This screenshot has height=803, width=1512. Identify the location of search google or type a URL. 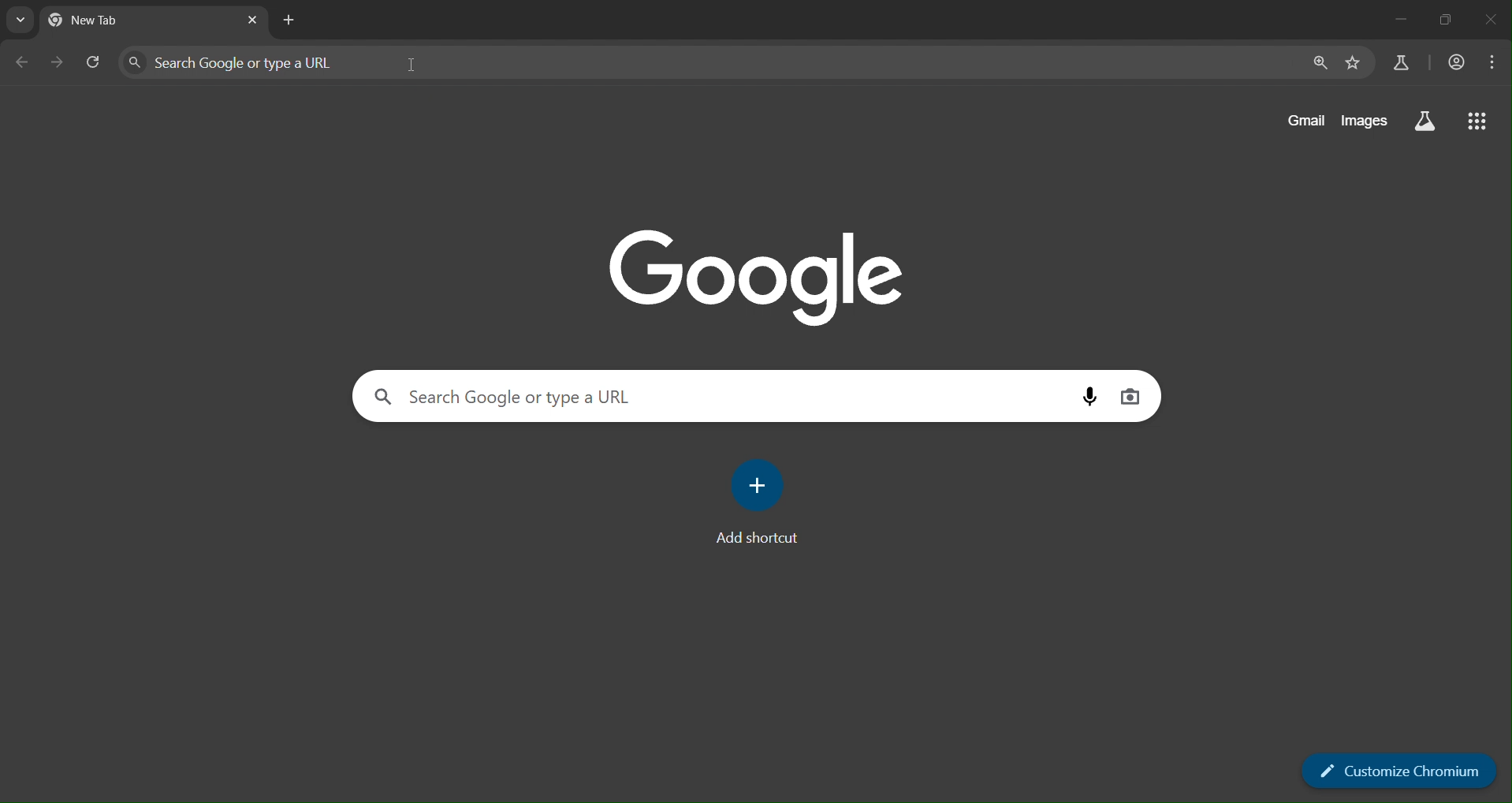
(718, 395).